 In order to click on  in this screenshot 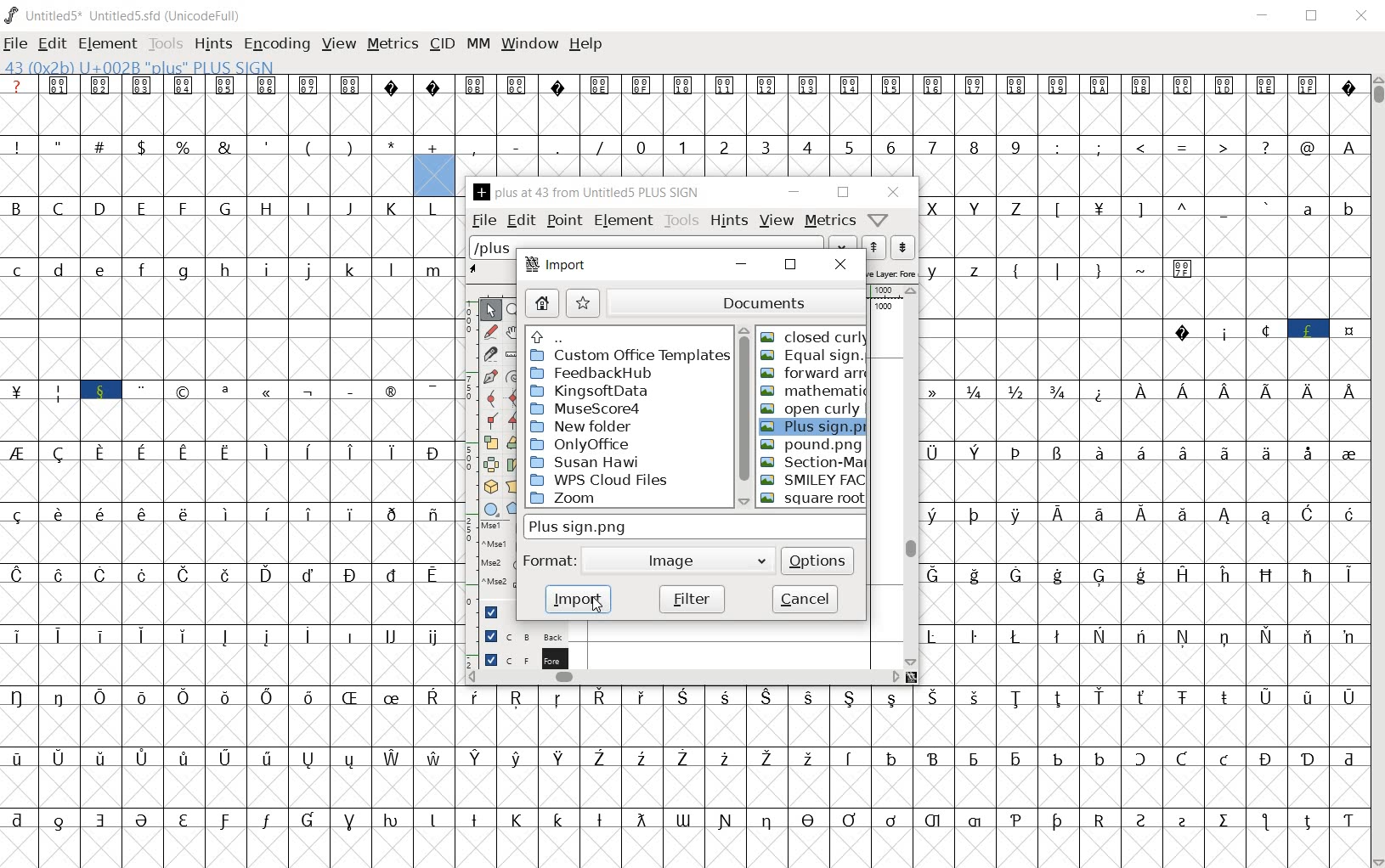, I will do `click(960, 289)`.